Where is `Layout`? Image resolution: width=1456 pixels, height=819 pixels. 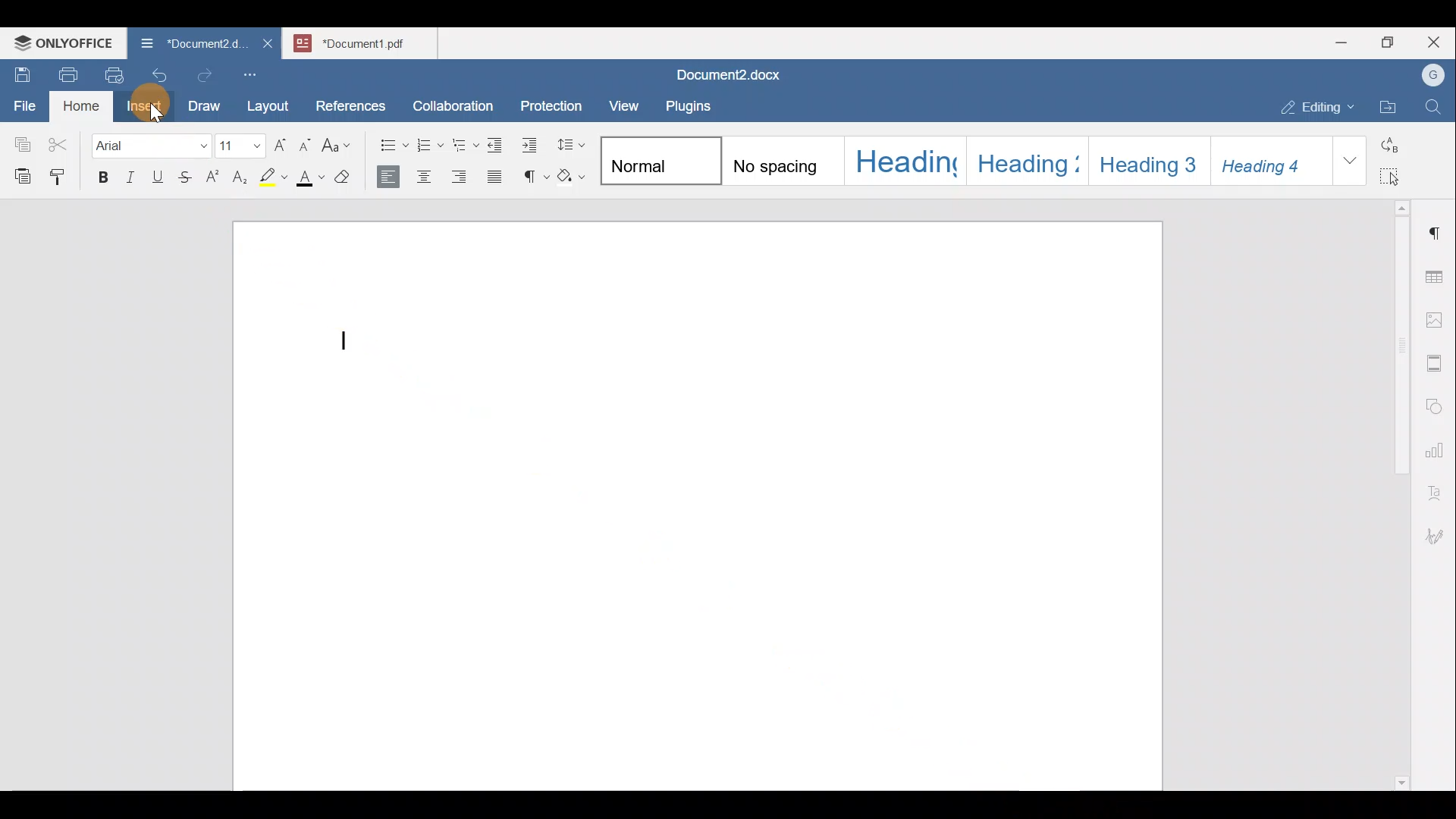 Layout is located at coordinates (271, 103).